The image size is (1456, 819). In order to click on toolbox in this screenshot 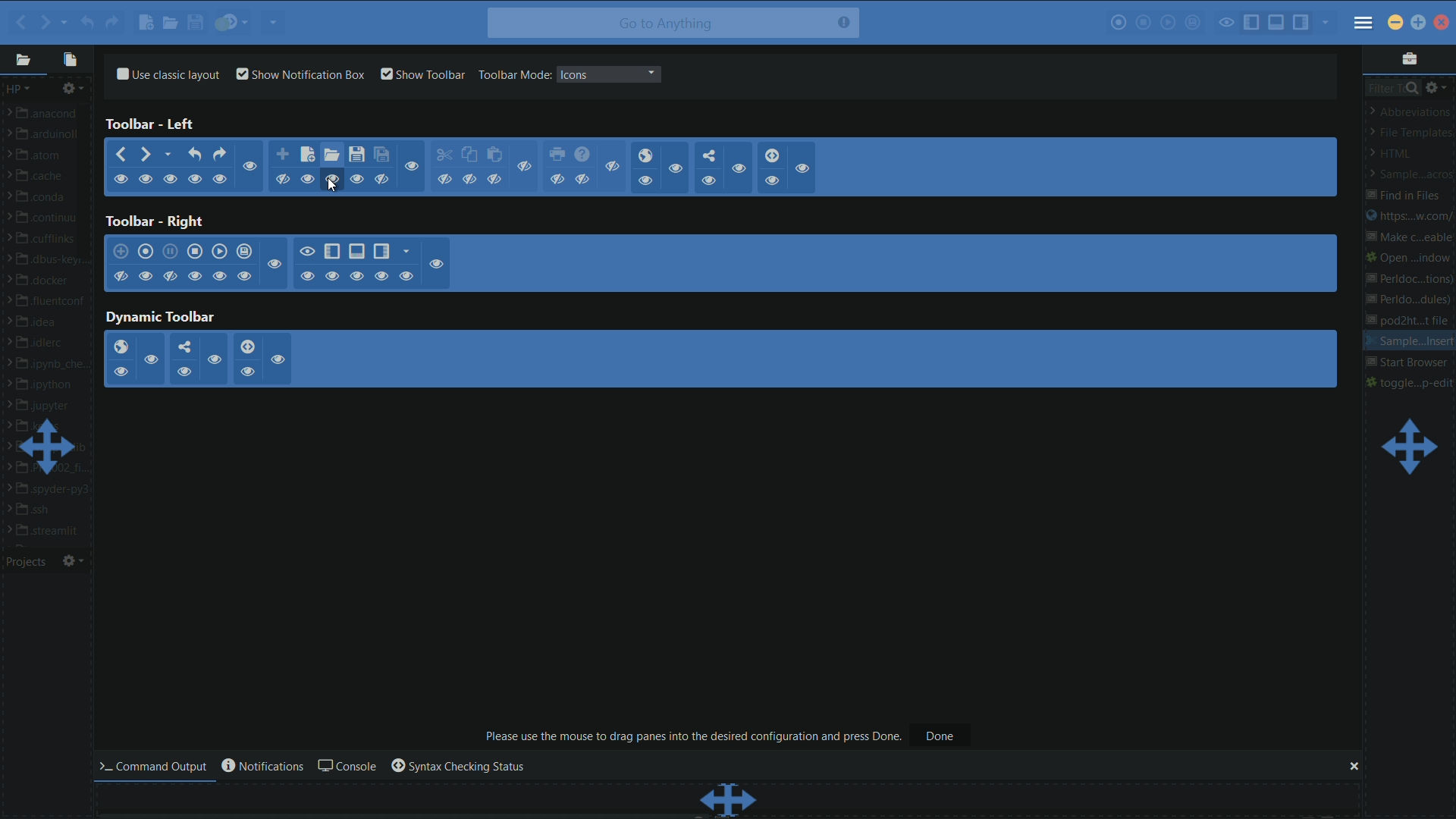, I will do `click(1408, 58)`.